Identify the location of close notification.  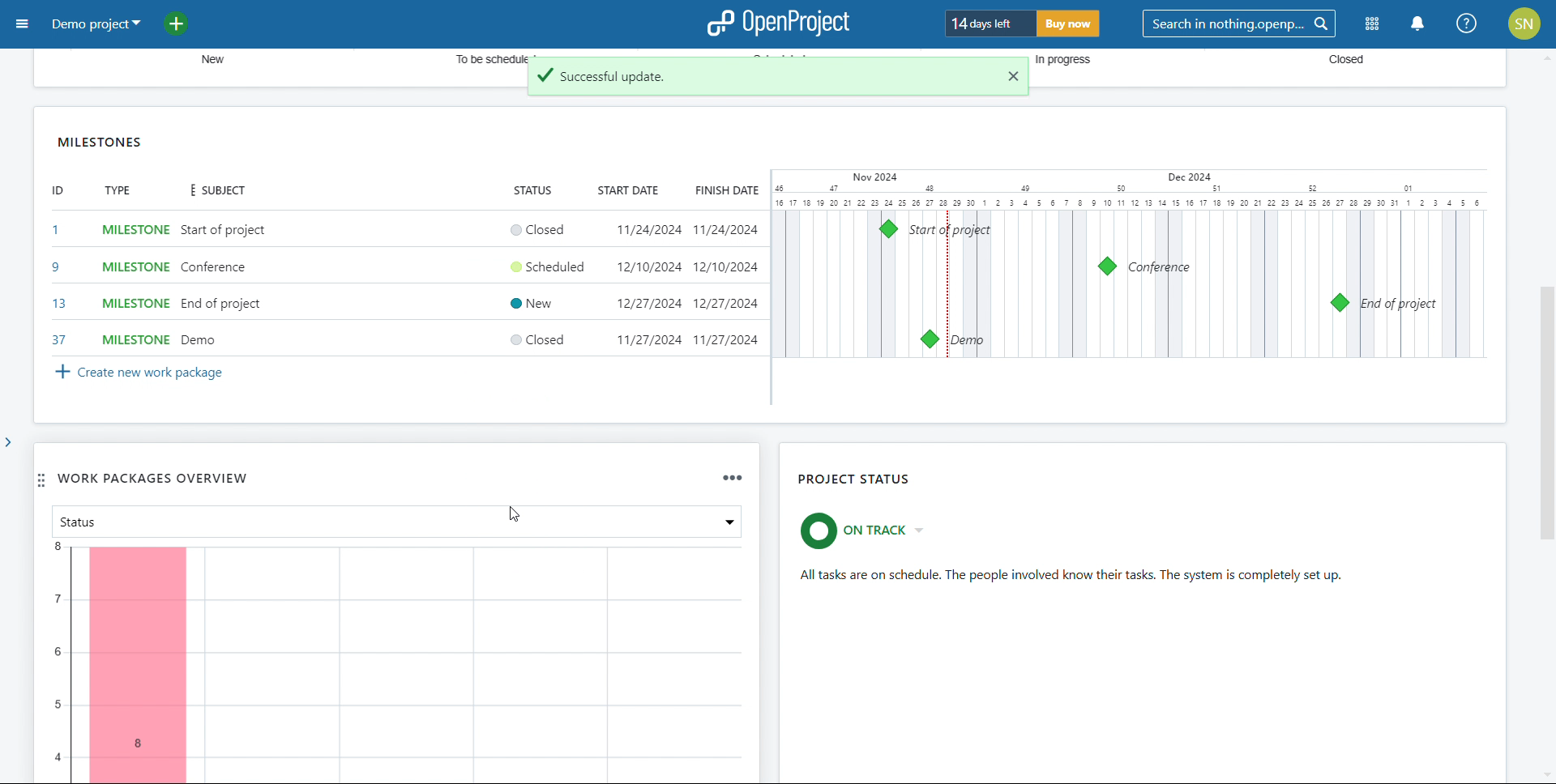
(1013, 75).